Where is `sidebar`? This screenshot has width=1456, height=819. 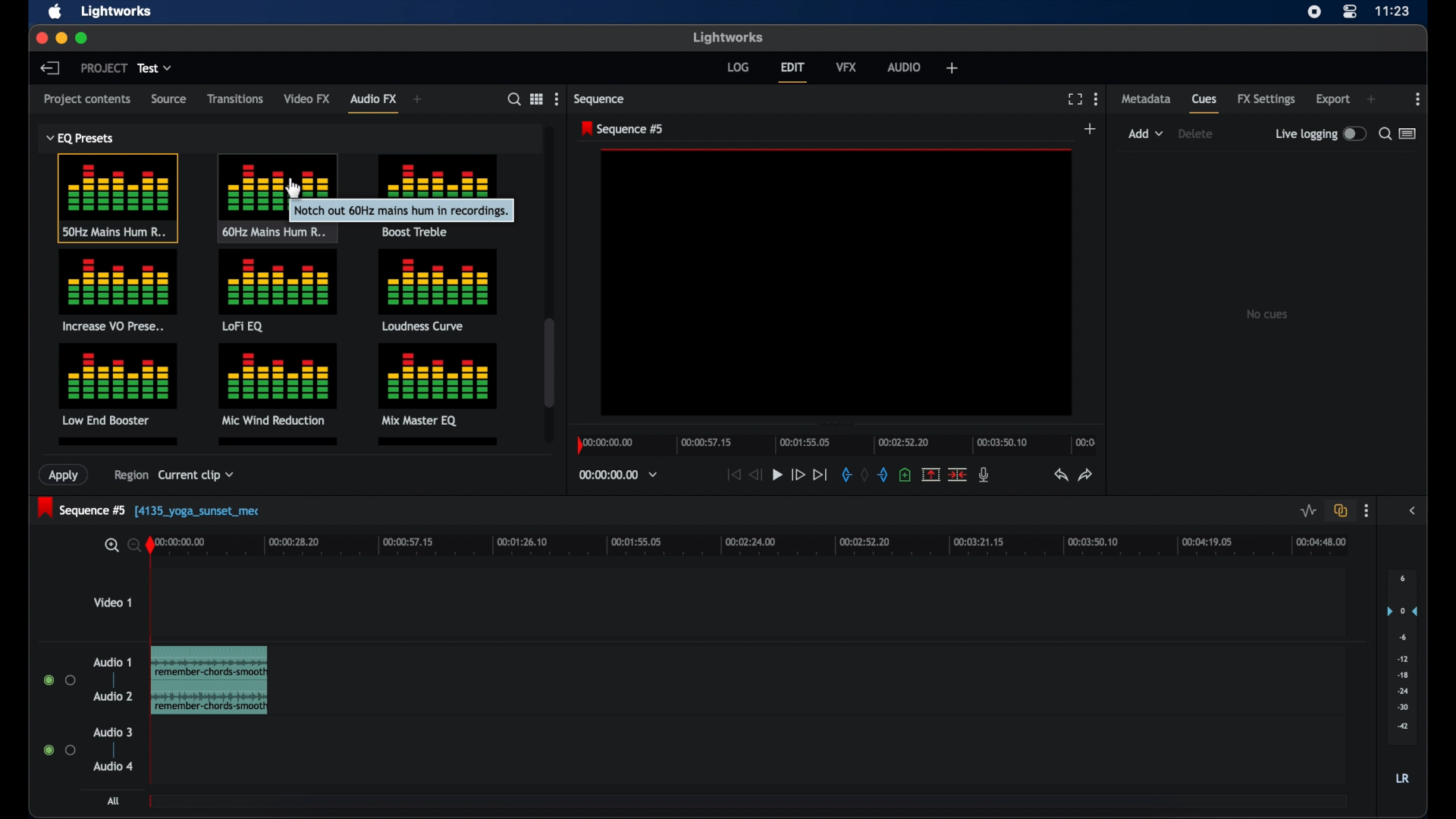 sidebar is located at coordinates (1414, 510).